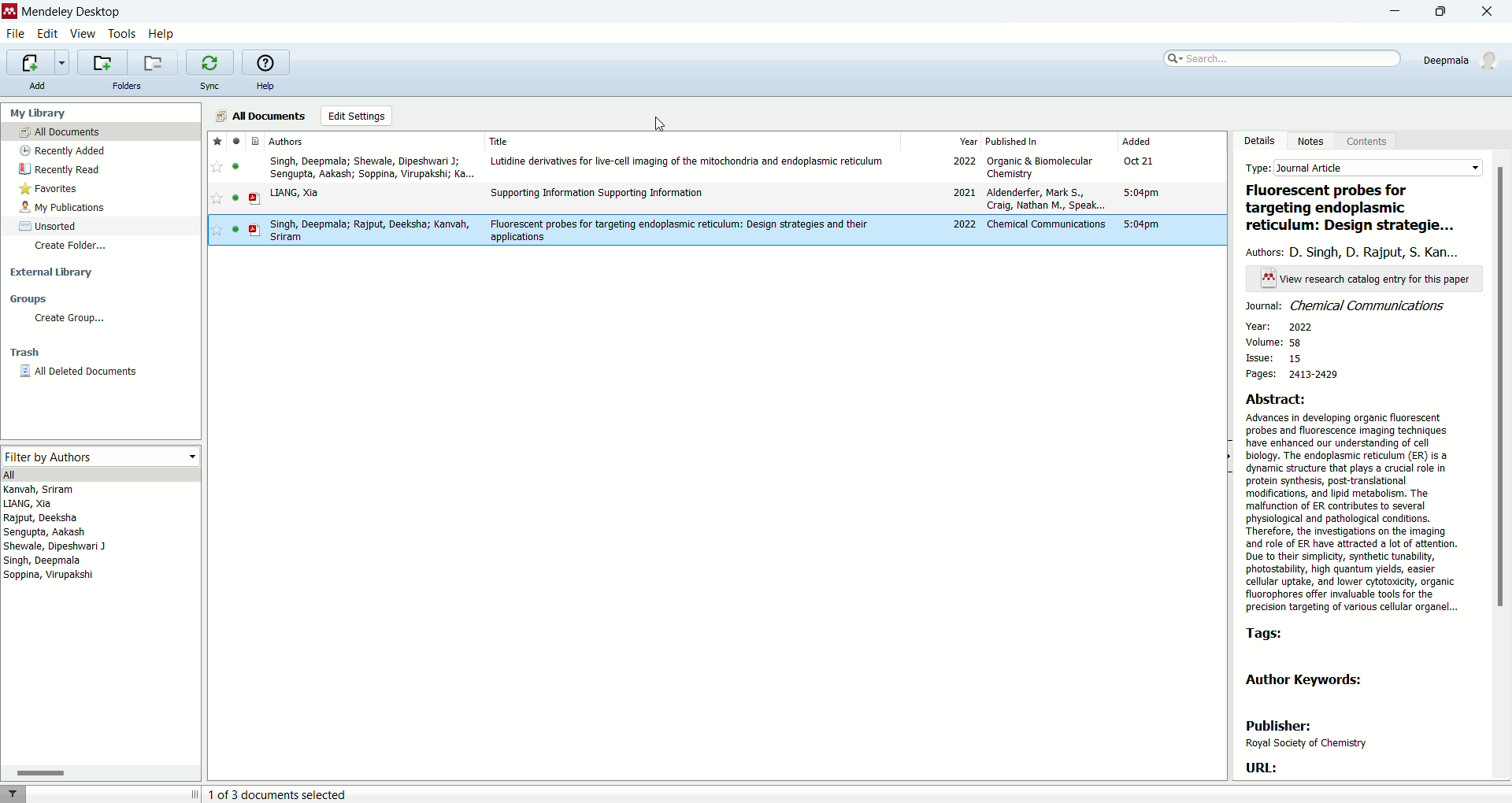 Image resolution: width=1512 pixels, height=803 pixels. I want to click on 2021, so click(961, 193).